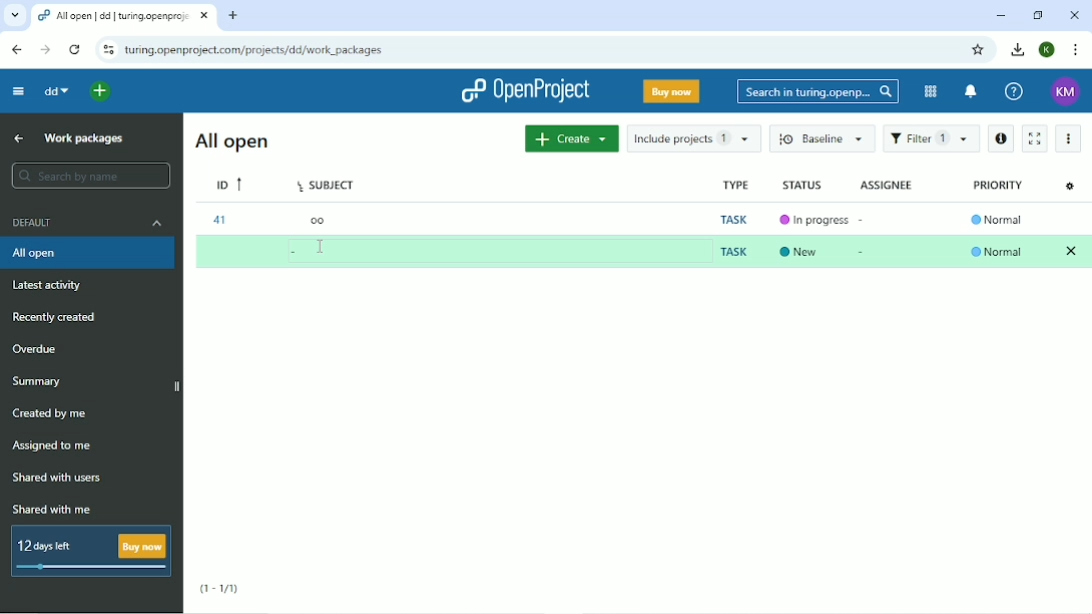 The width and height of the screenshot is (1092, 614). What do you see at coordinates (56, 91) in the screenshot?
I see `dd` at bounding box center [56, 91].